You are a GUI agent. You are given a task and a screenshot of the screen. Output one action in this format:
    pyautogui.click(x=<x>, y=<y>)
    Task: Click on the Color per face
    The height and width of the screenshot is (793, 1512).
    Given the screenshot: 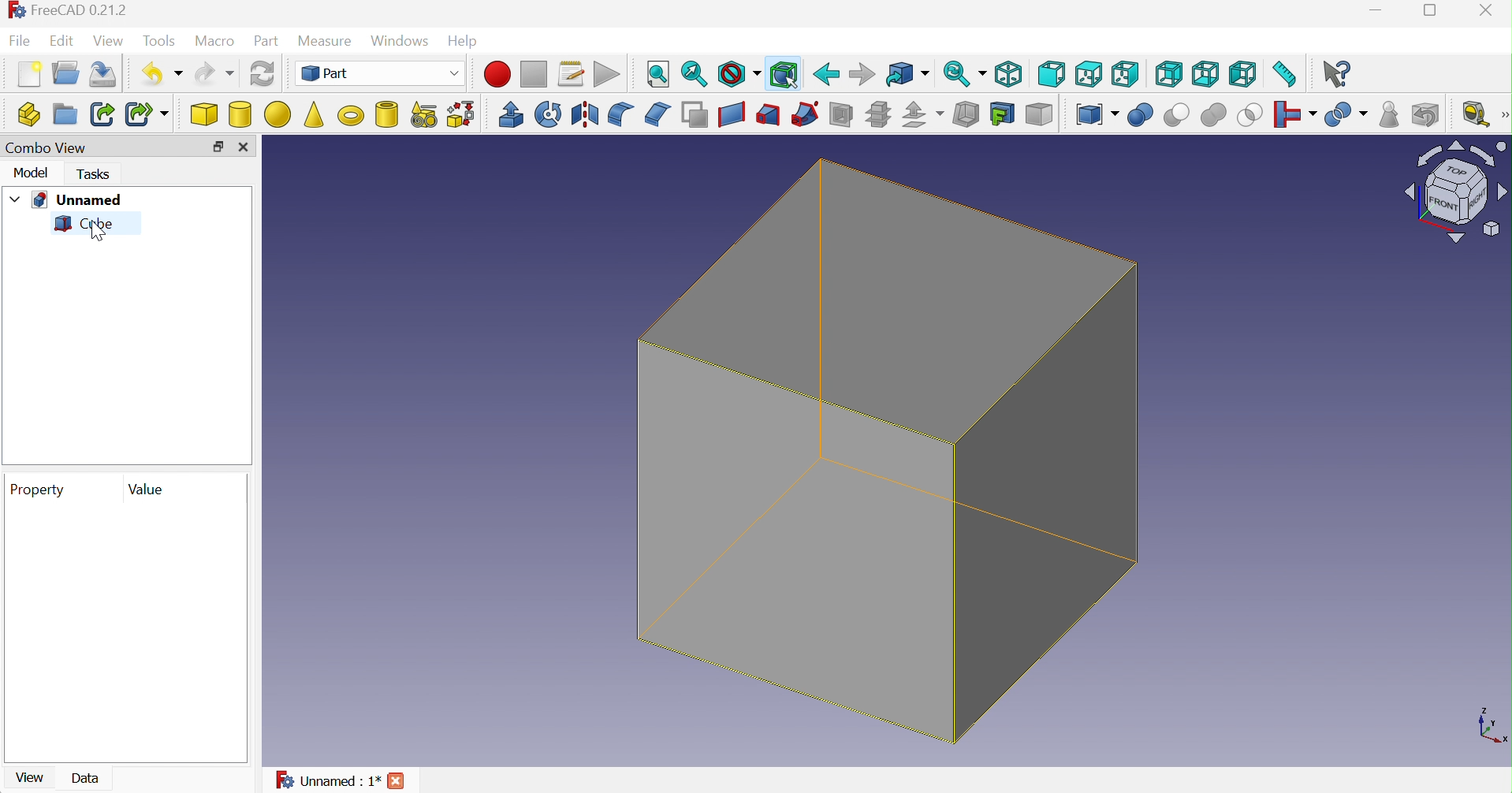 What is the action you would take?
    pyautogui.click(x=1039, y=115)
    